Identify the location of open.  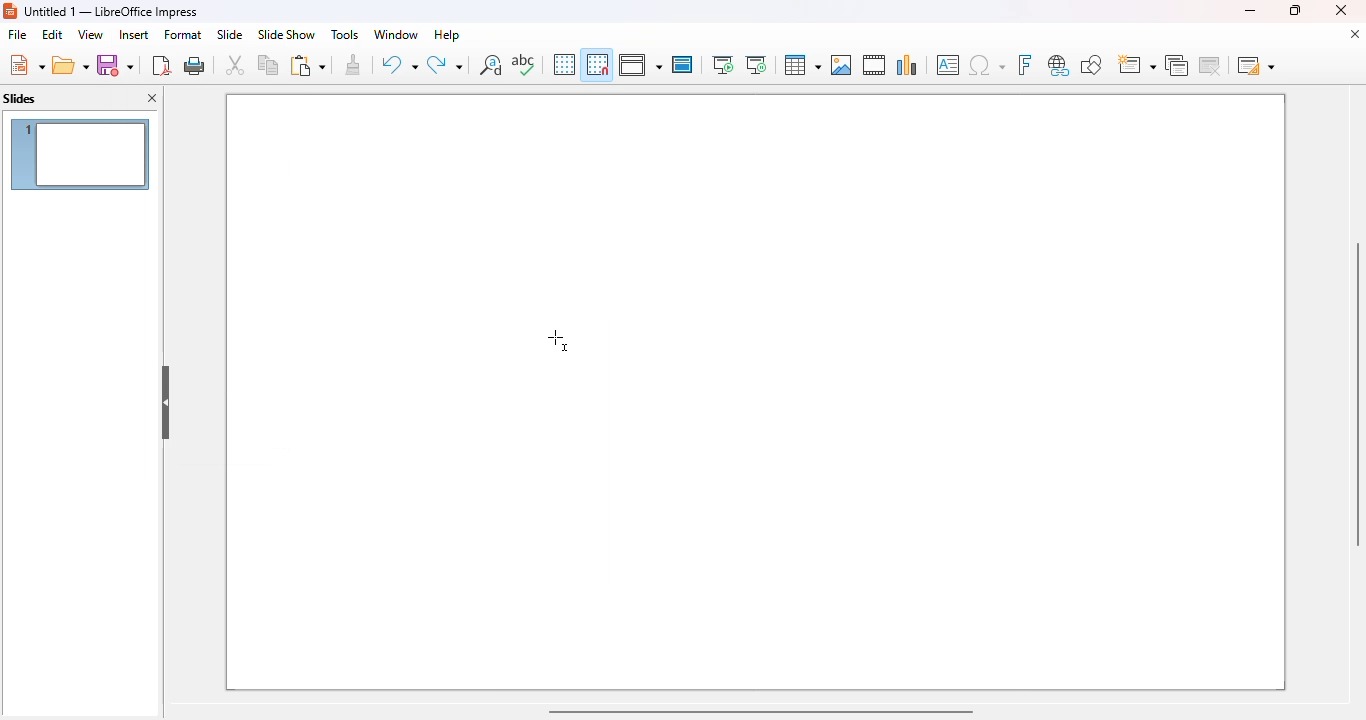
(71, 66).